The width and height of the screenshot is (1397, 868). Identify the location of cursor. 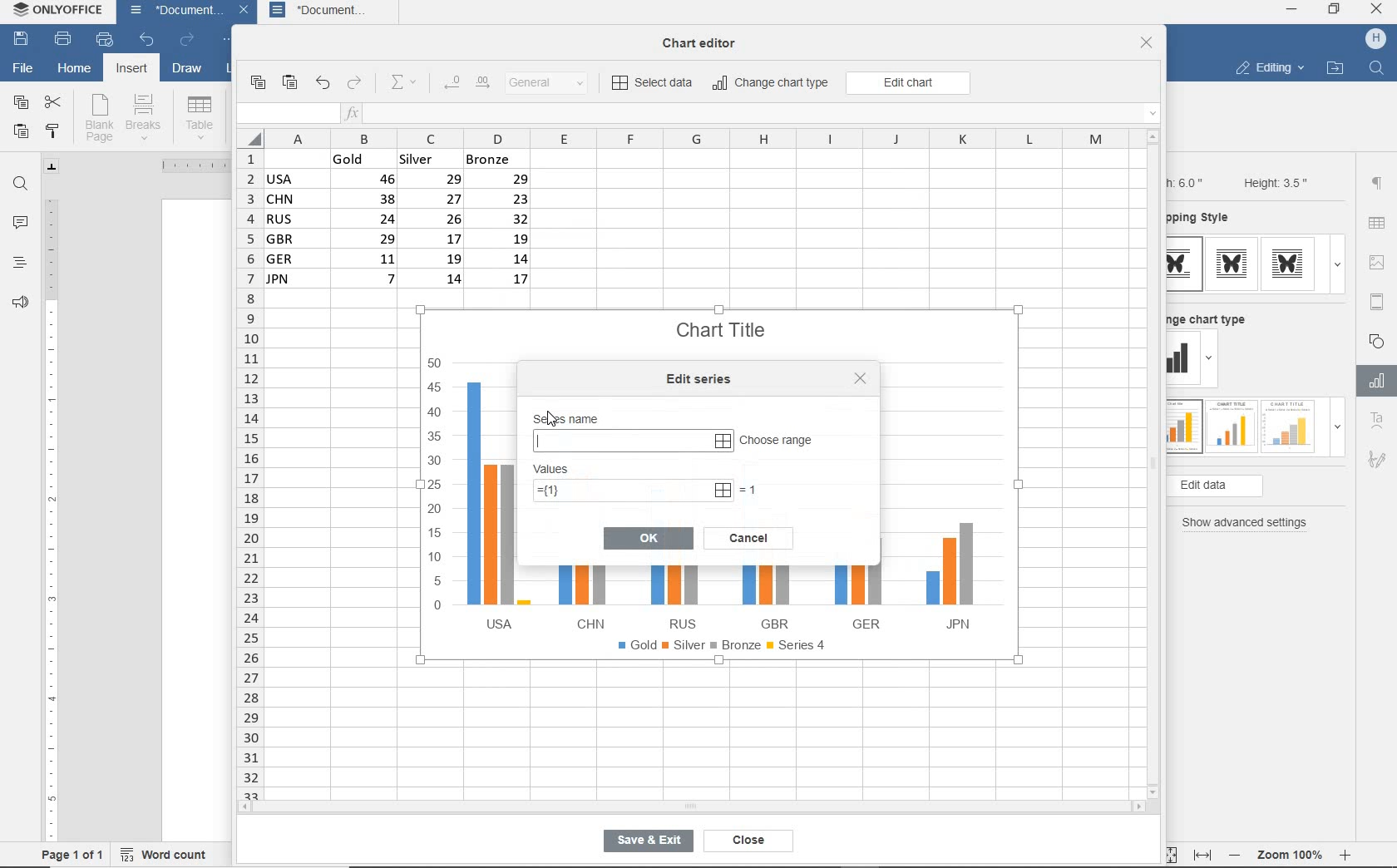
(554, 419).